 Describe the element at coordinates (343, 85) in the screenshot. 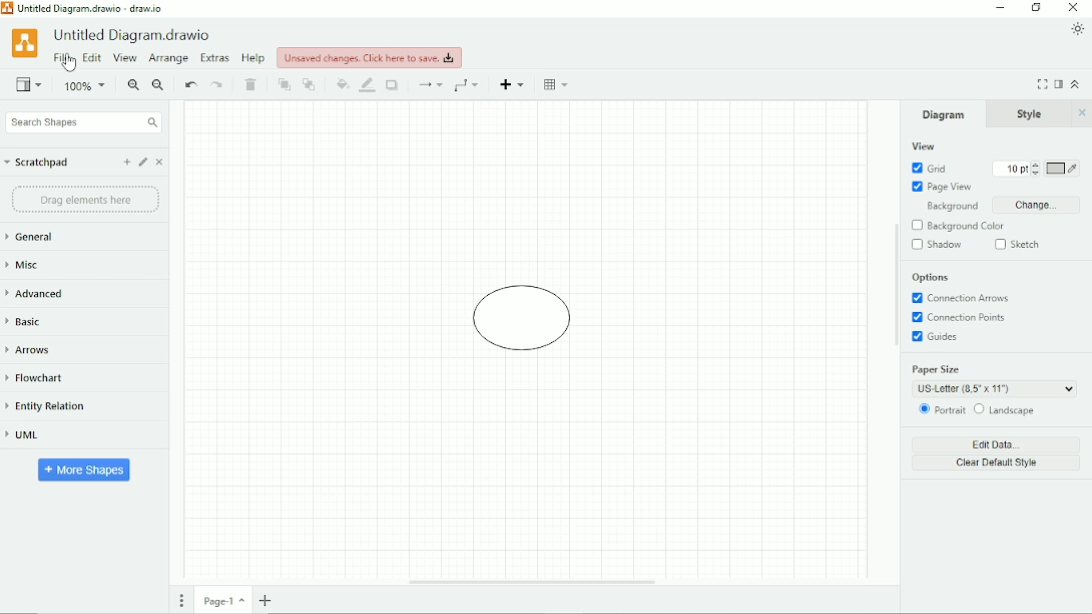

I see `Fill color` at that location.